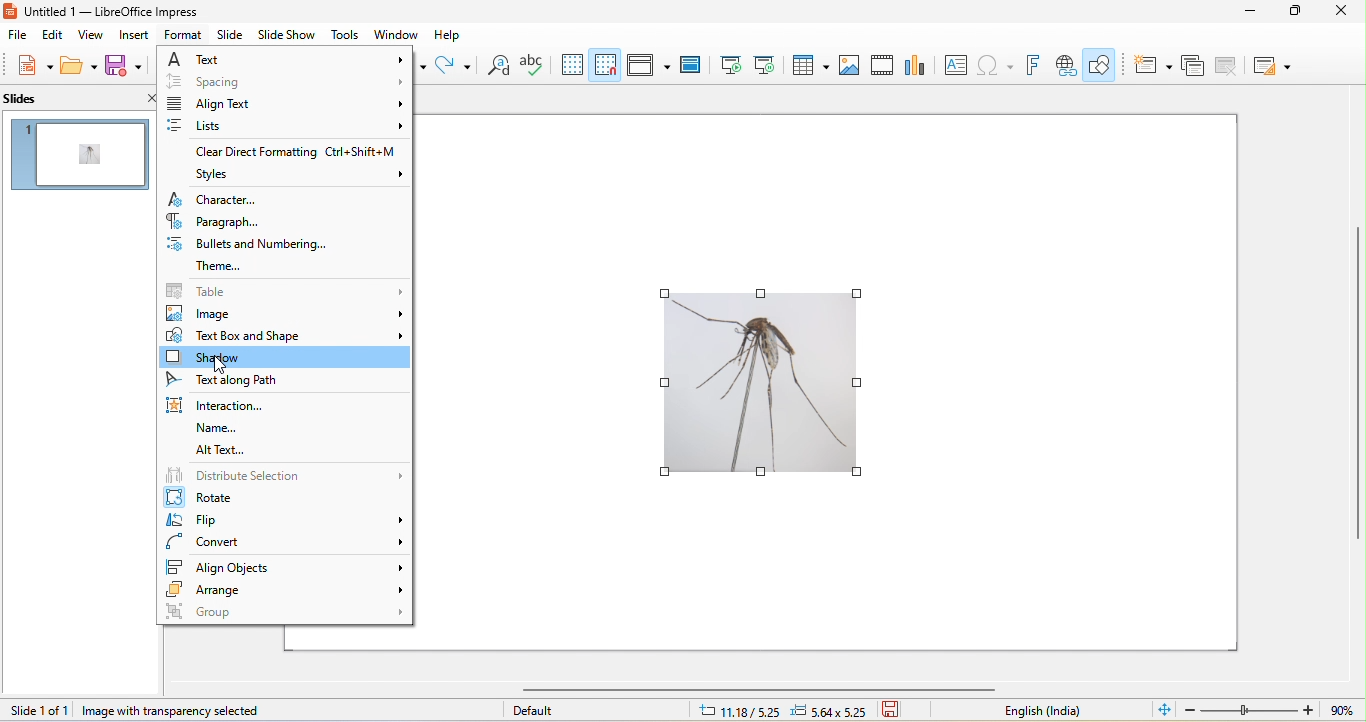  Describe the element at coordinates (286, 313) in the screenshot. I see `image` at that location.